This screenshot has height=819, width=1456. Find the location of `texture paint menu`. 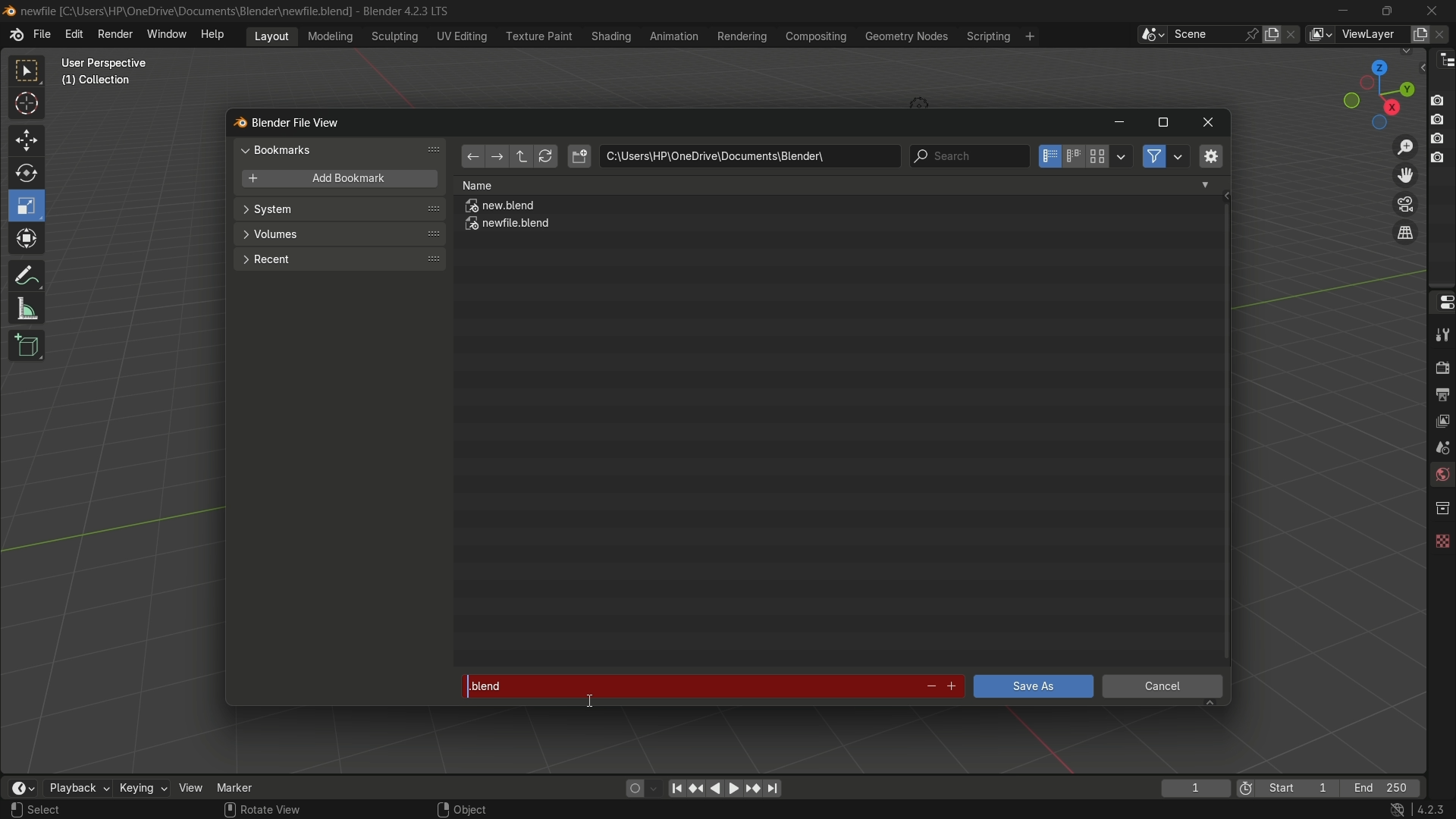

texture paint menu is located at coordinates (538, 35).